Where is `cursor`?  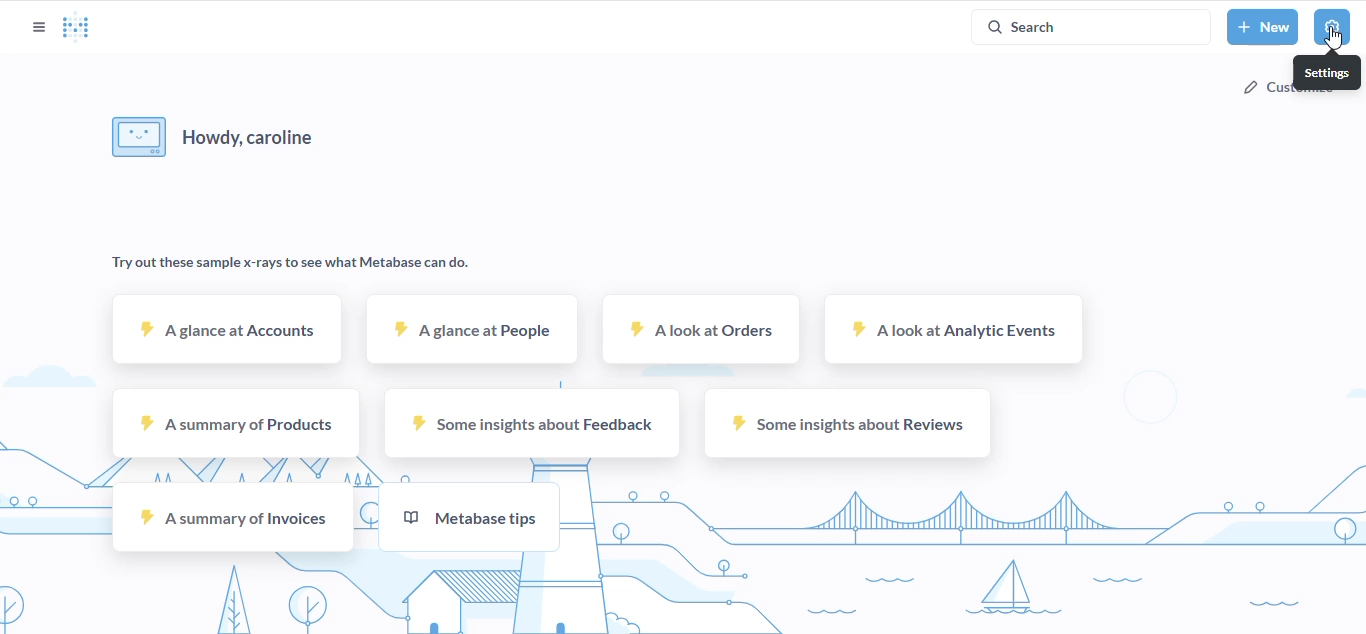
cursor is located at coordinates (1334, 38).